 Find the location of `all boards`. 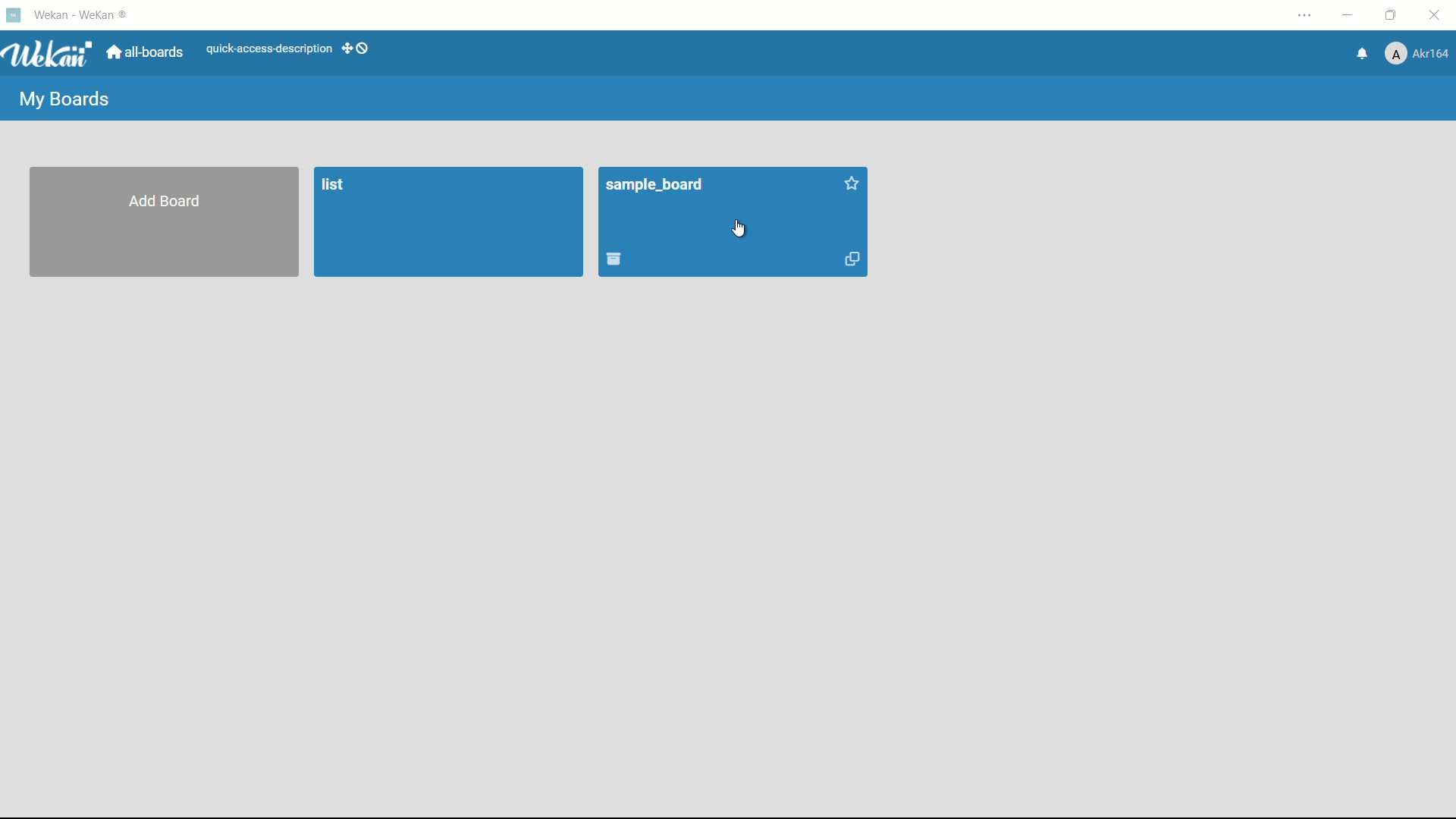

all boards is located at coordinates (147, 52).